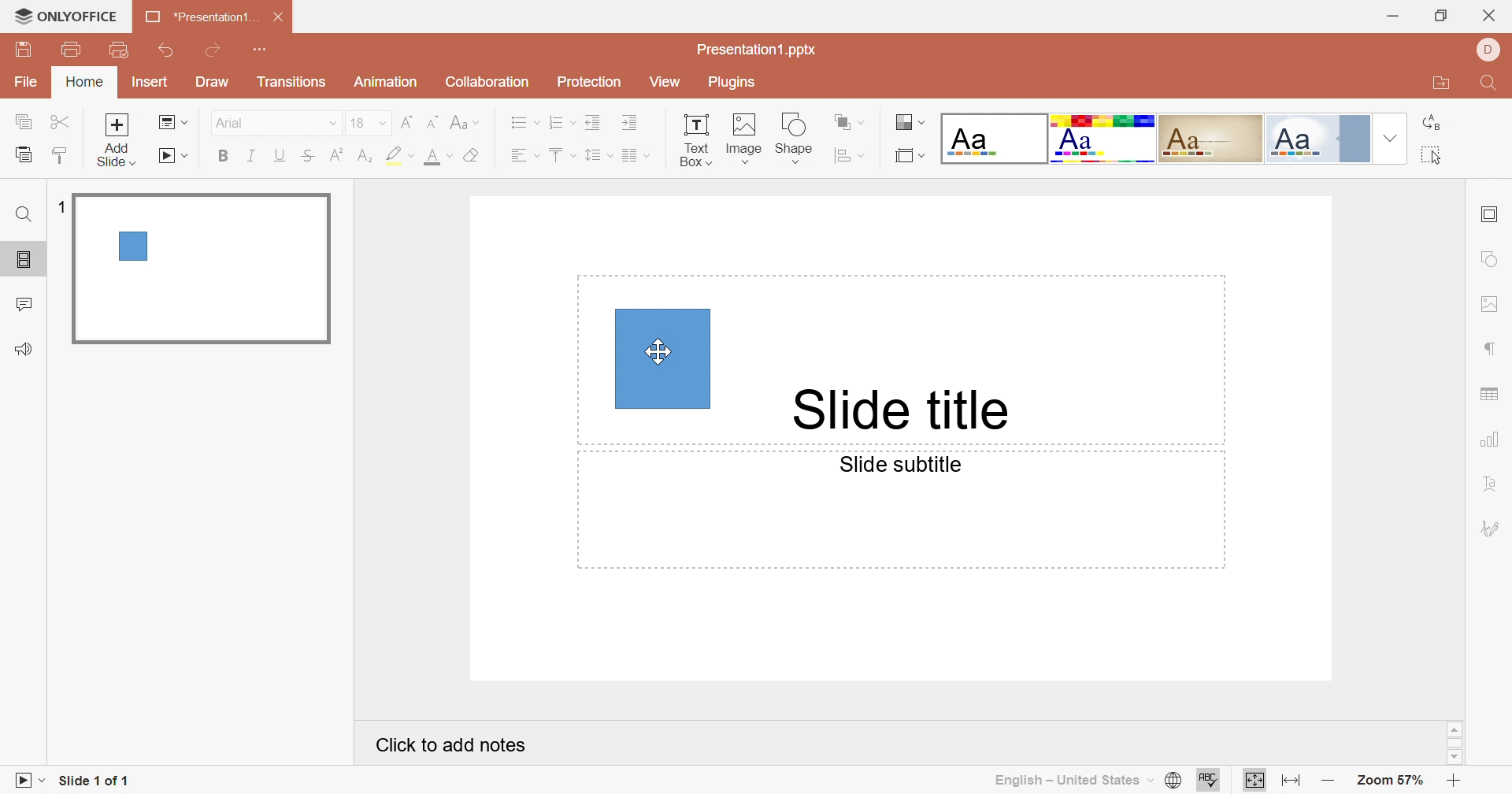 This screenshot has width=1512, height=794. What do you see at coordinates (1104, 138) in the screenshot?
I see `Basic` at bounding box center [1104, 138].